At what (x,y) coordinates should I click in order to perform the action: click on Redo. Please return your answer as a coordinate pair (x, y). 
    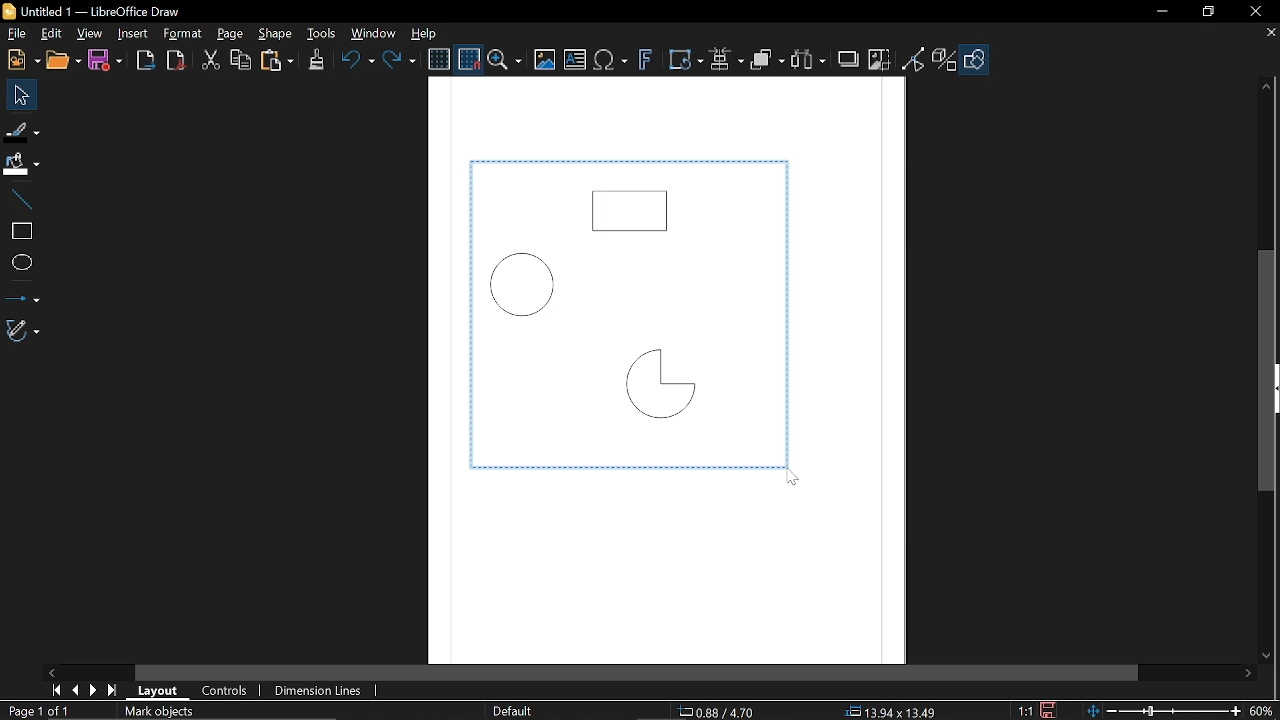
    Looking at the image, I should click on (400, 61).